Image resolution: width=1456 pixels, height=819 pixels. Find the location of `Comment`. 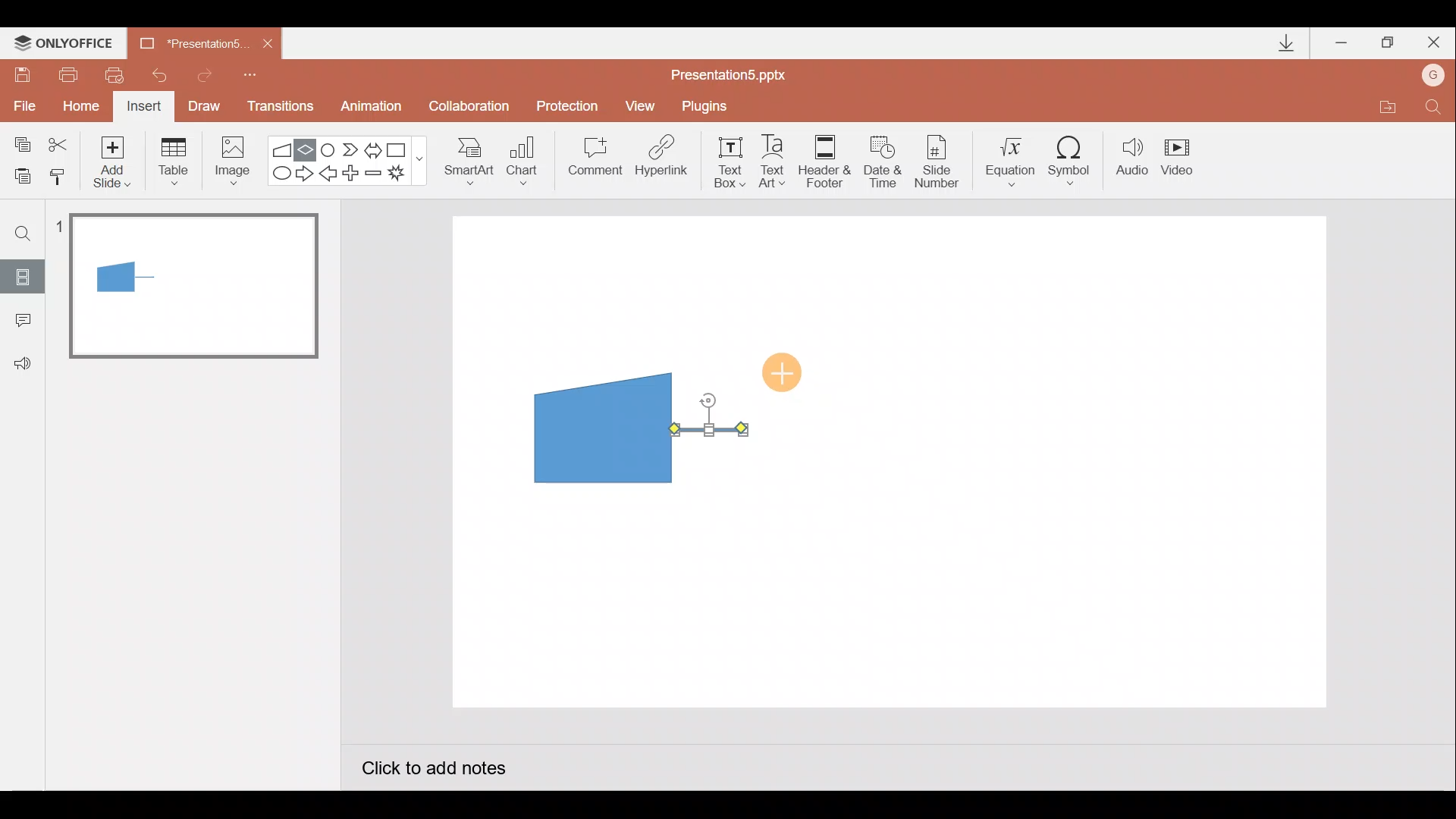

Comment is located at coordinates (593, 162).